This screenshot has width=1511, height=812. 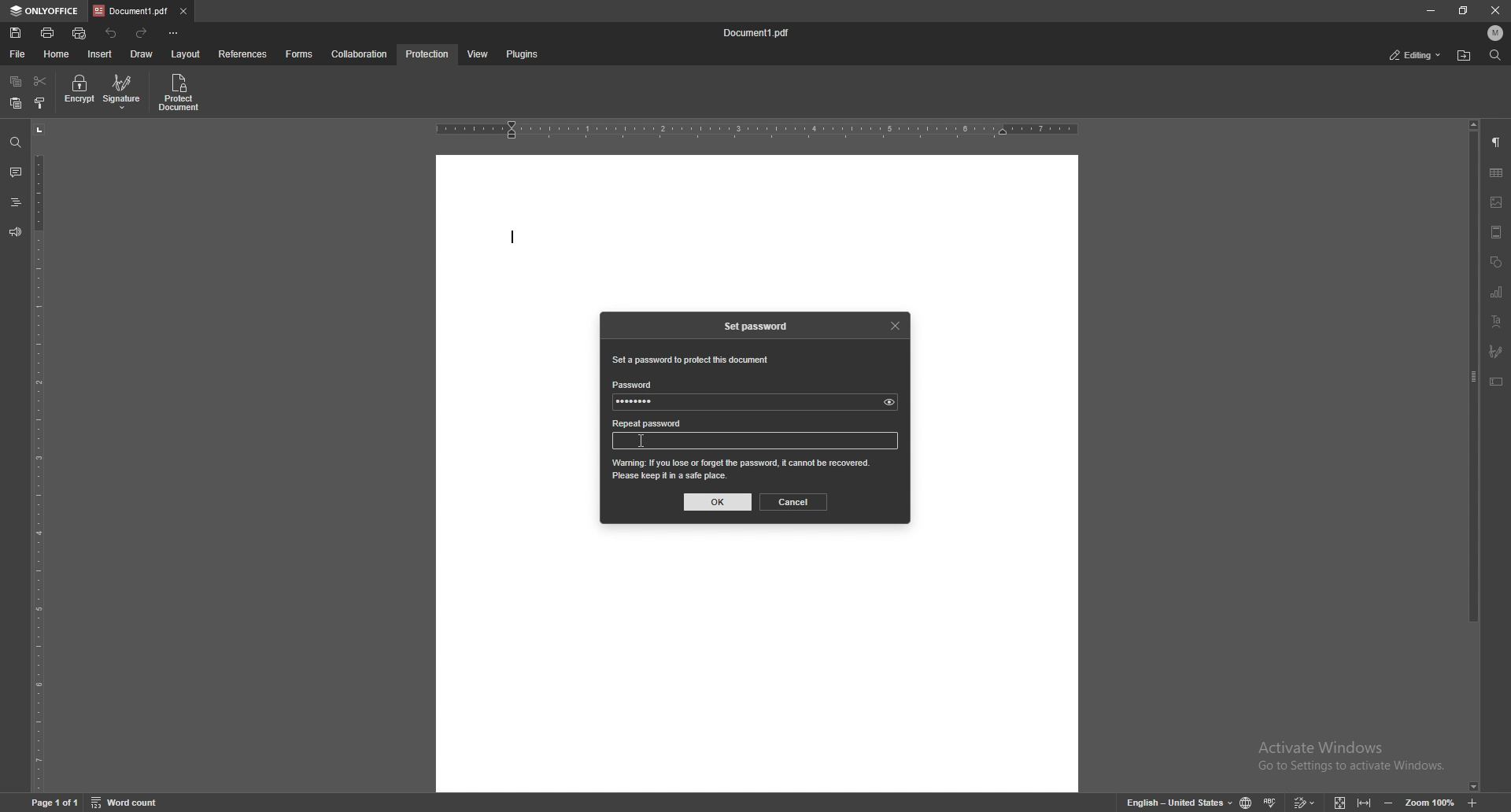 What do you see at coordinates (15, 82) in the screenshot?
I see `copy` at bounding box center [15, 82].